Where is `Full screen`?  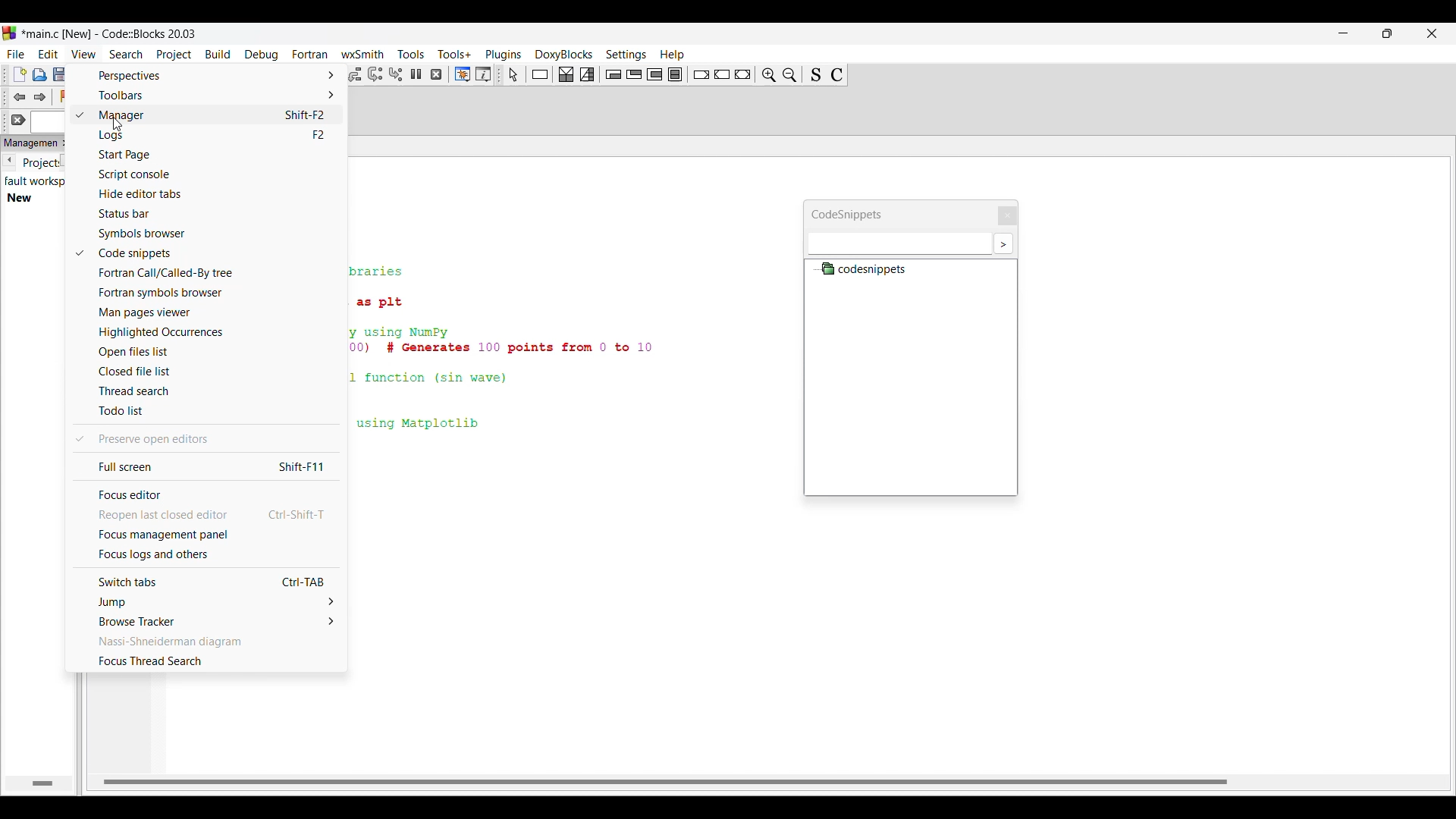
Full screen is located at coordinates (207, 466).